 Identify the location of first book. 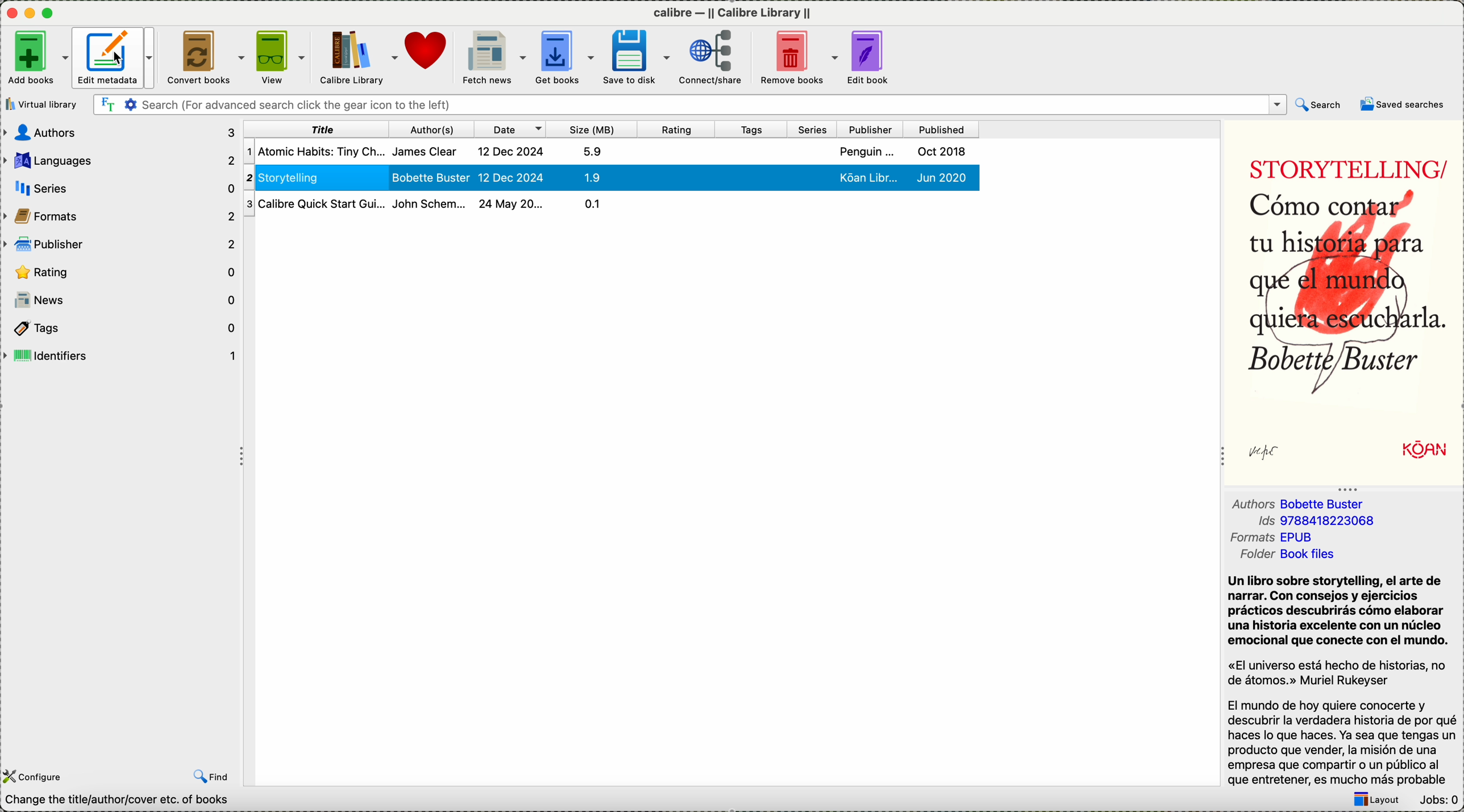
(609, 151).